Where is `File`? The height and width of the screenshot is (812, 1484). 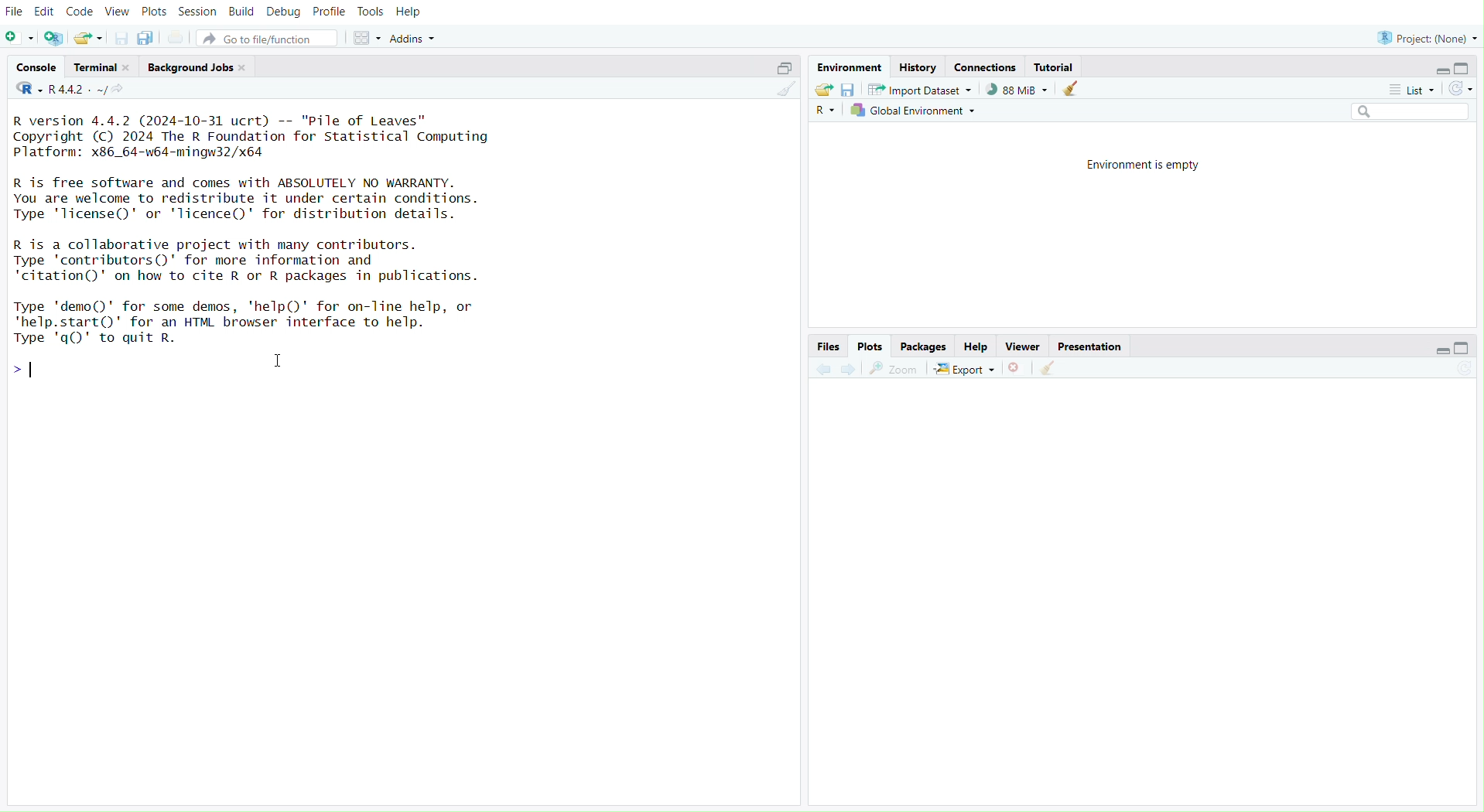
File is located at coordinates (16, 11).